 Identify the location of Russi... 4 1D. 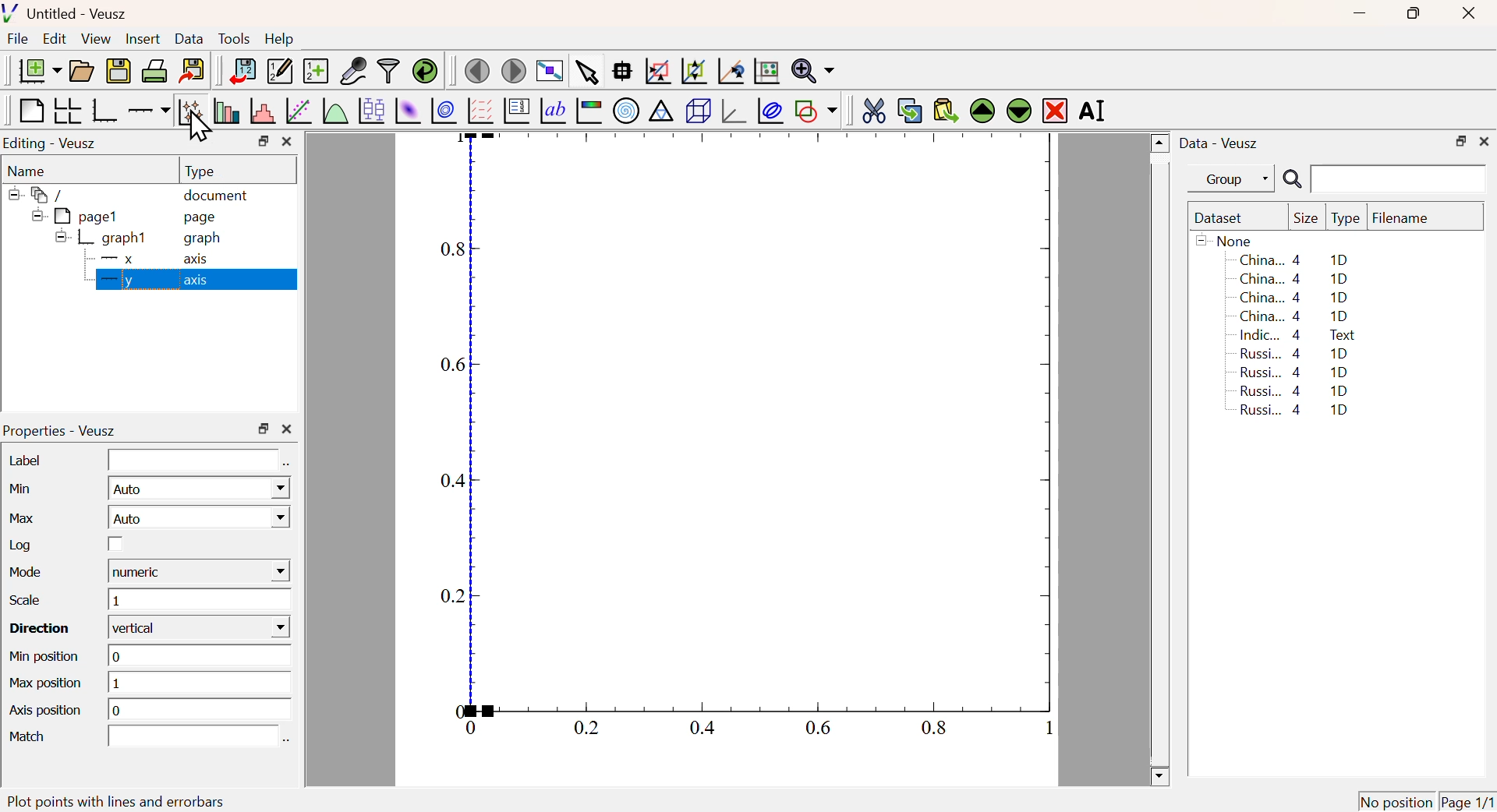
(1297, 353).